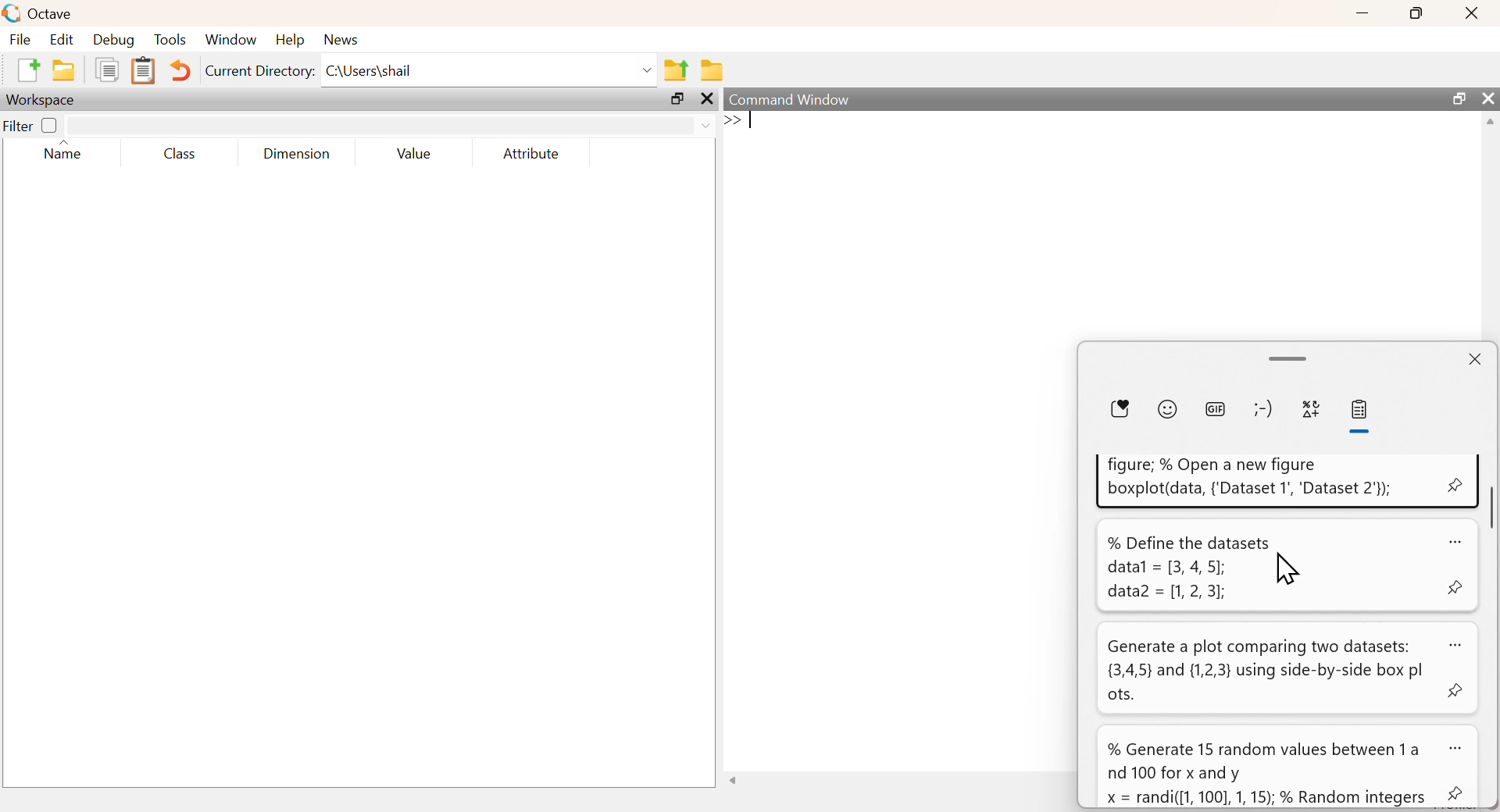  Describe the element at coordinates (1169, 408) in the screenshot. I see `Emoji` at that location.